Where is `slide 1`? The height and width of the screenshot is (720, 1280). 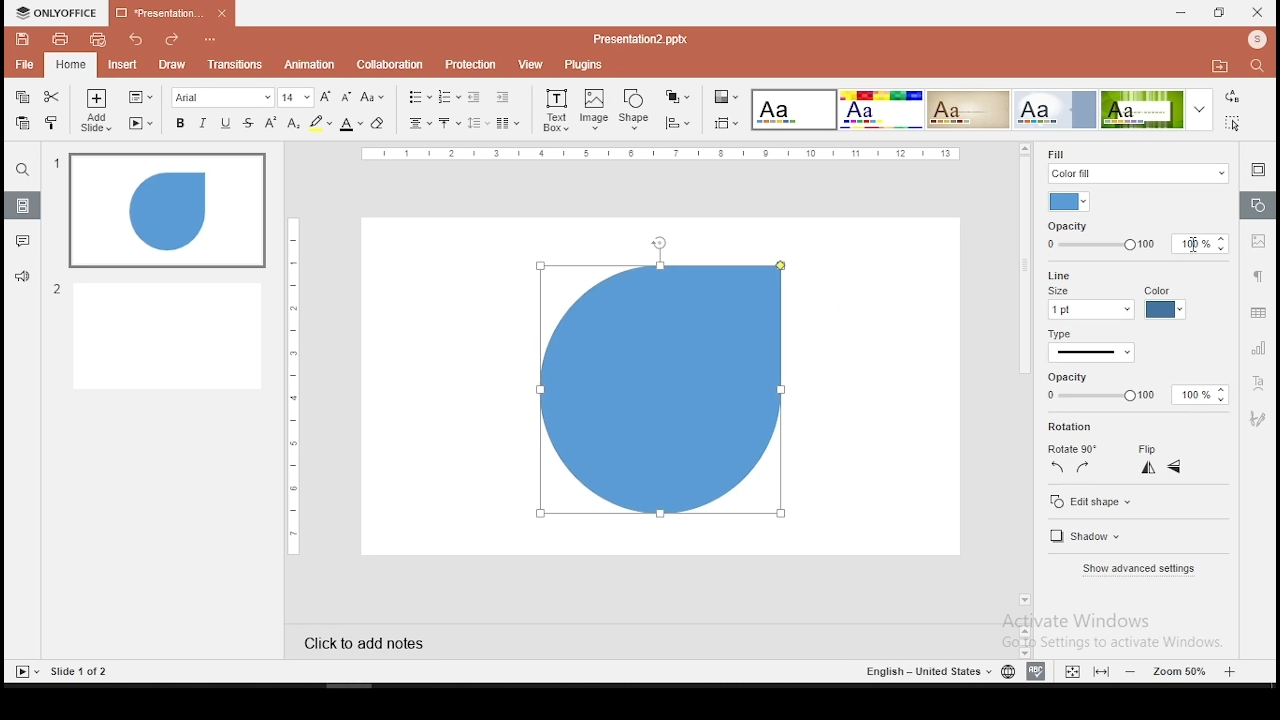
slide 1 is located at coordinates (167, 211).